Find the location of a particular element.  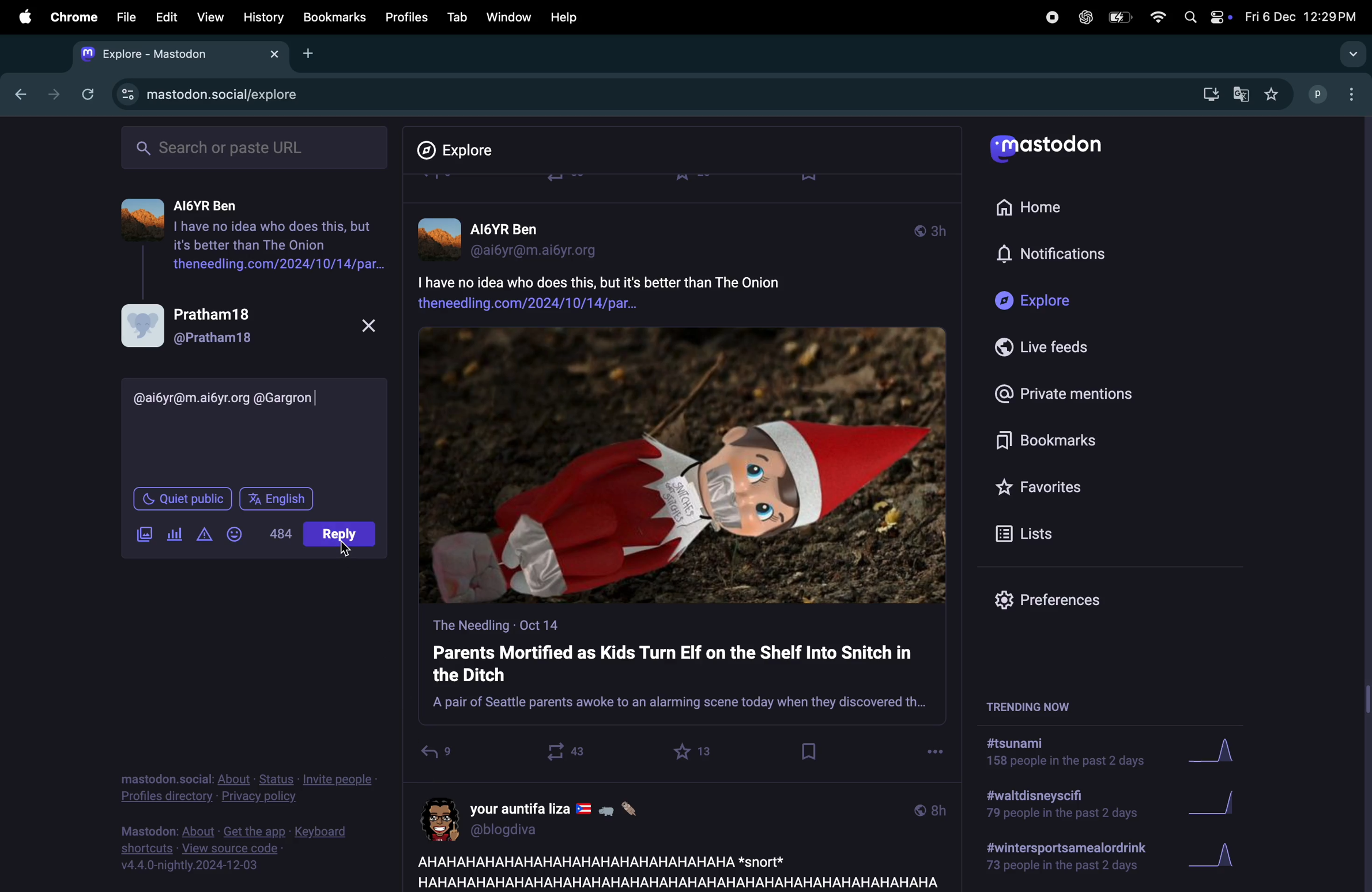

English is located at coordinates (276, 496).